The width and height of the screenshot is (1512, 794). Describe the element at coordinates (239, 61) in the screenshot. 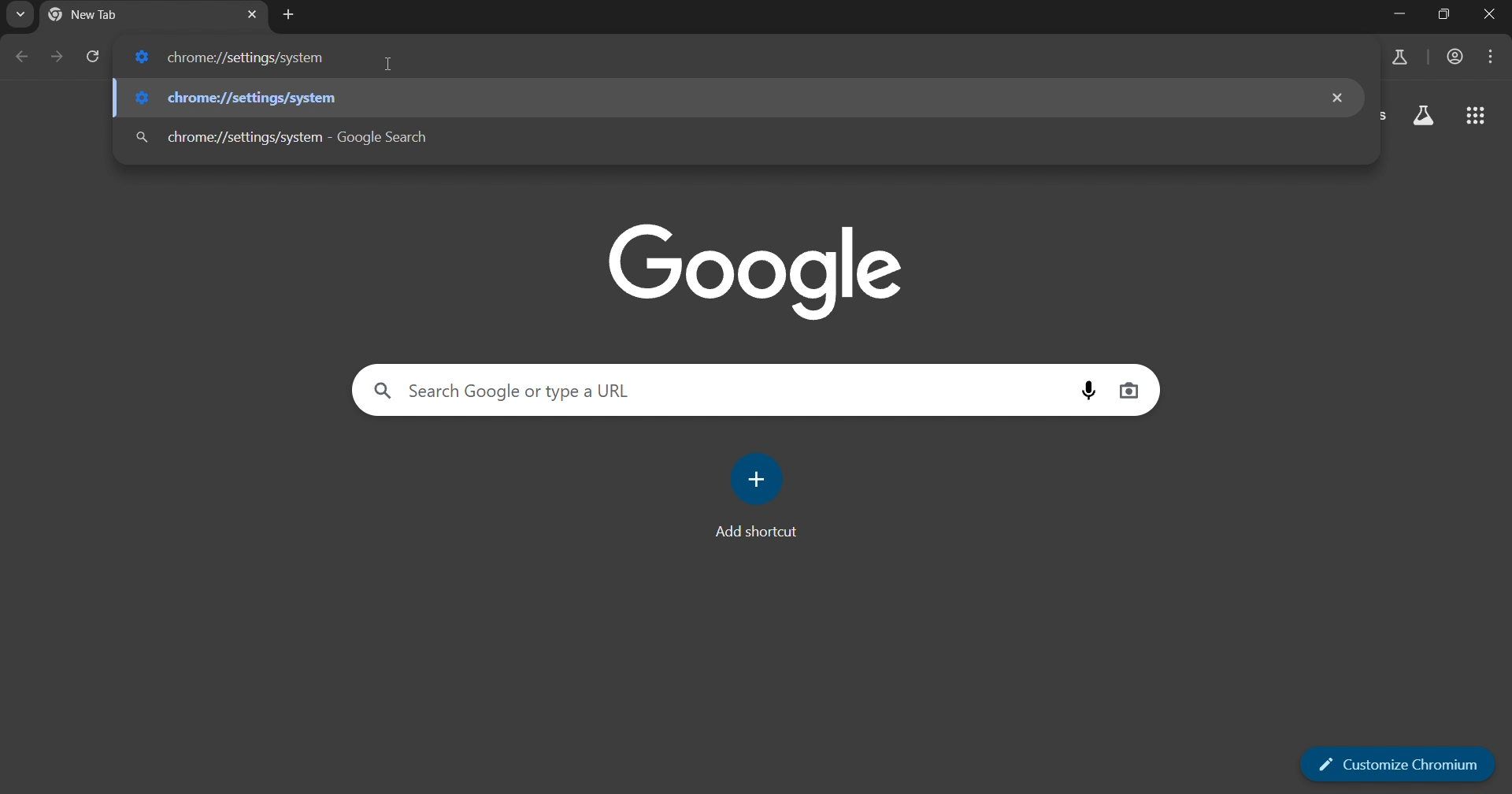

I see `chrome://settings/system` at that location.